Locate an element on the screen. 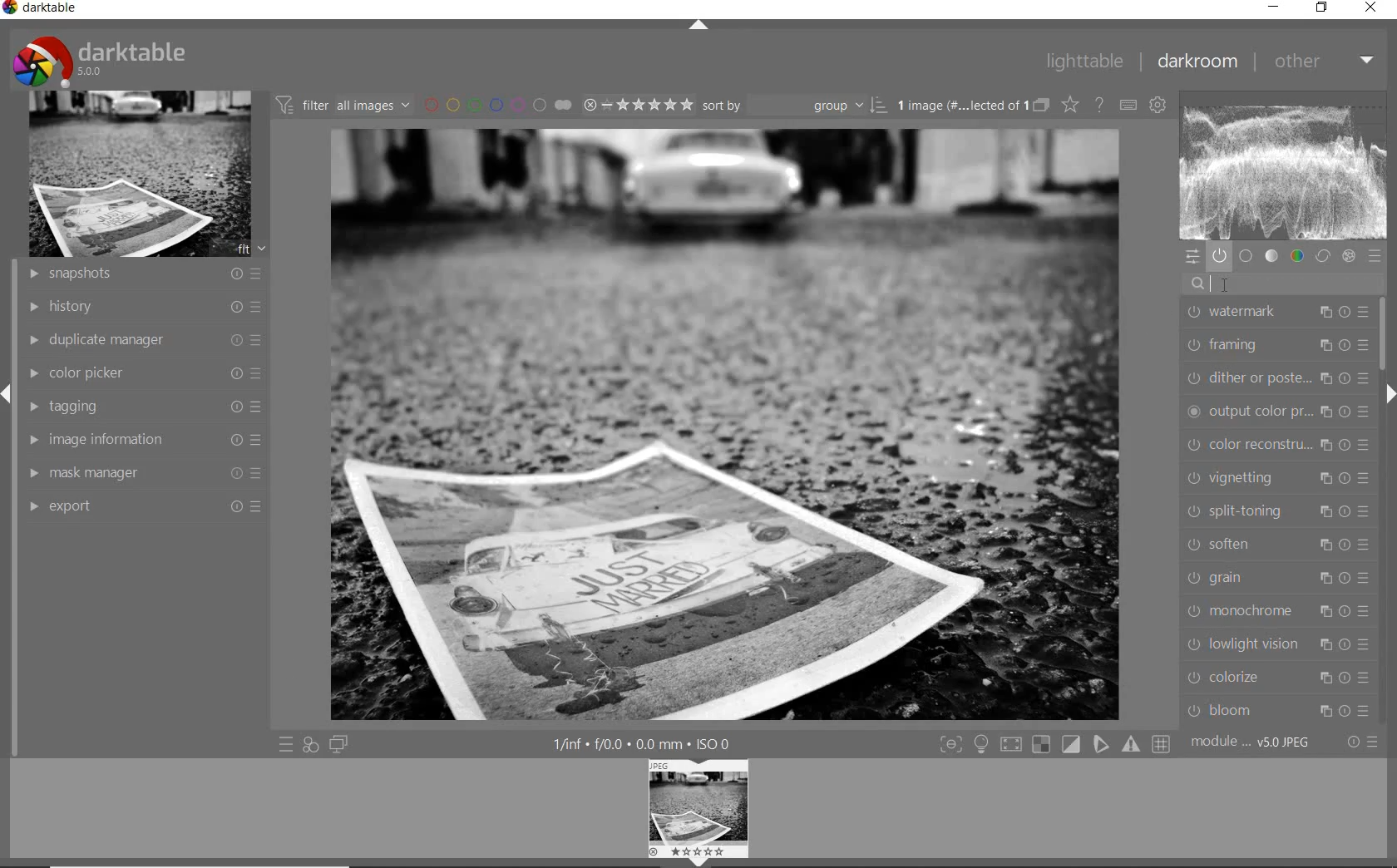 This screenshot has height=868, width=1397. expand/collapse is located at coordinates (1389, 394).